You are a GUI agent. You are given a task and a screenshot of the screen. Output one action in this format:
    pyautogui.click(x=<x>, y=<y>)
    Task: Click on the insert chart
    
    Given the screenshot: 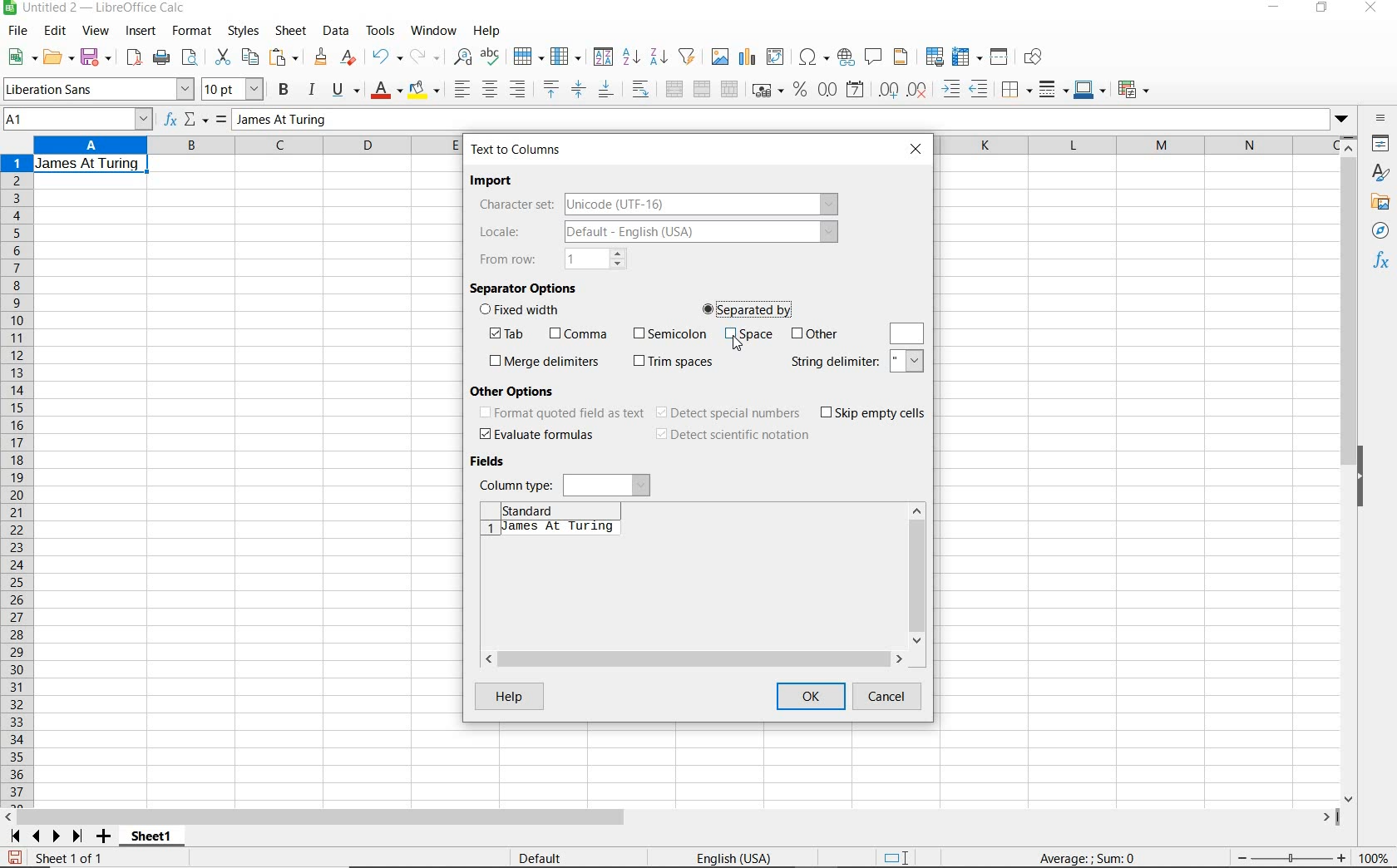 What is the action you would take?
    pyautogui.click(x=748, y=57)
    